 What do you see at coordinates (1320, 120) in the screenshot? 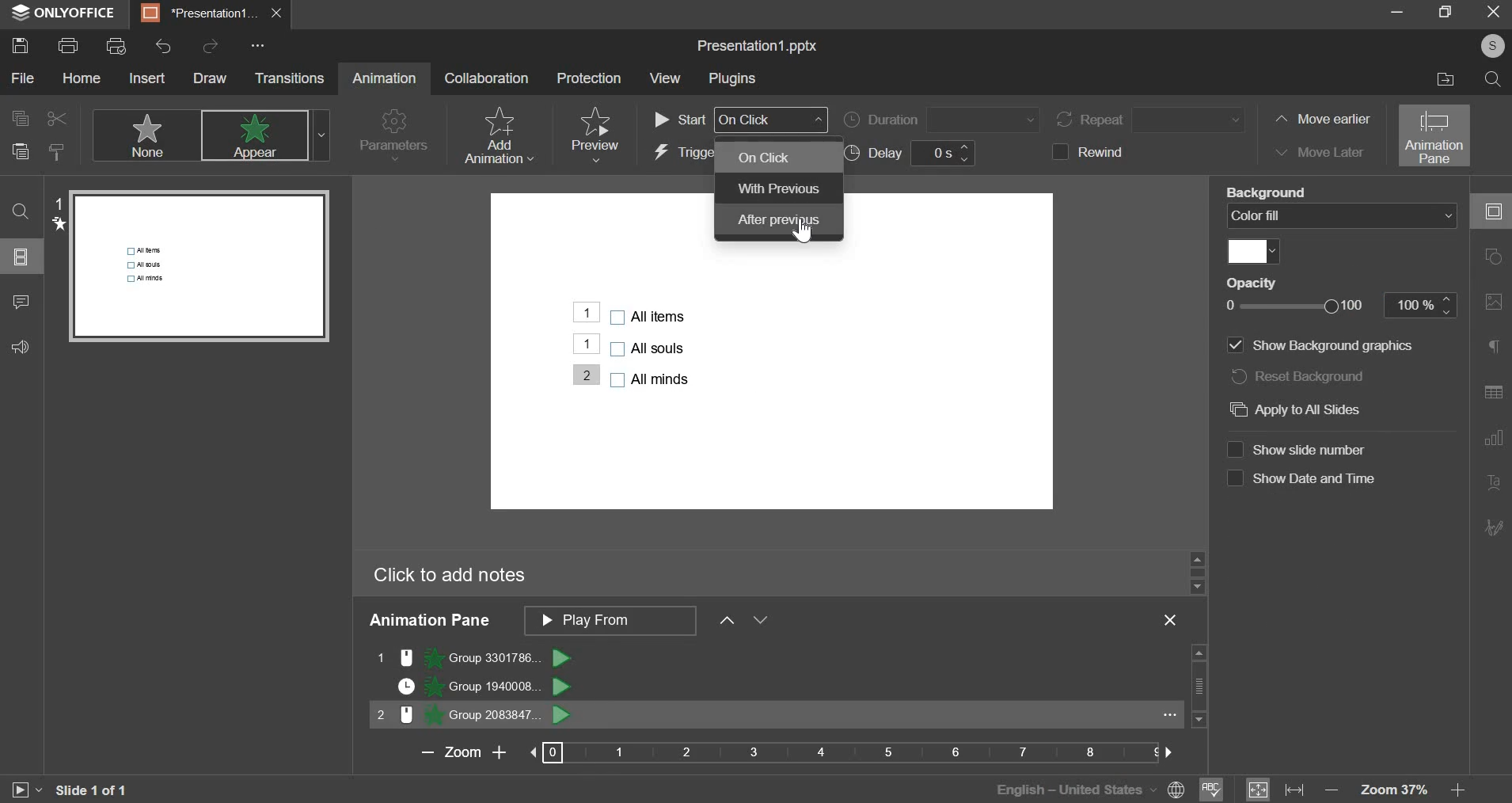
I see `move earlier` at bounding box center [1320, 120].